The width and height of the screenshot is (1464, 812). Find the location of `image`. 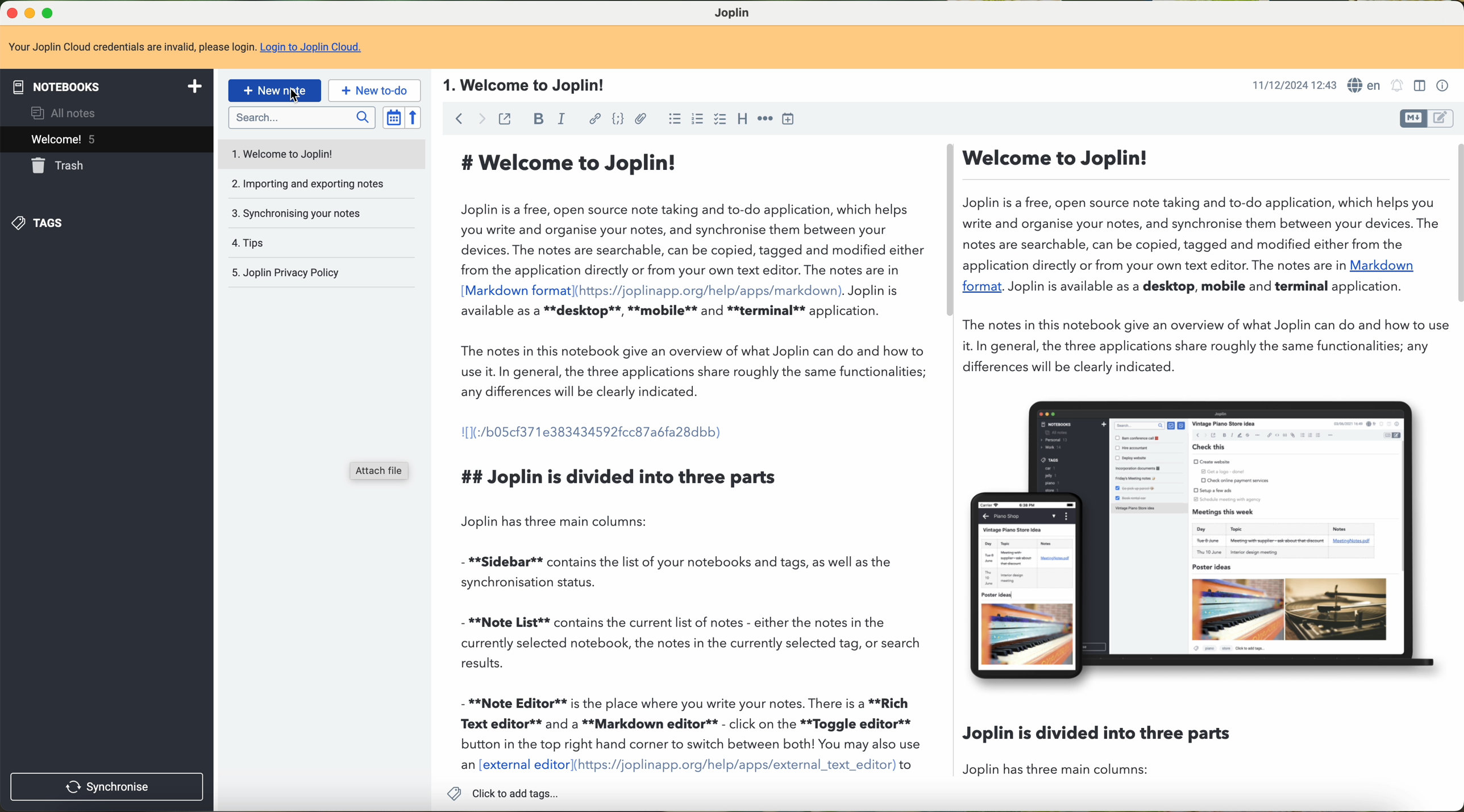

image is located at coordinates (1200, 542).